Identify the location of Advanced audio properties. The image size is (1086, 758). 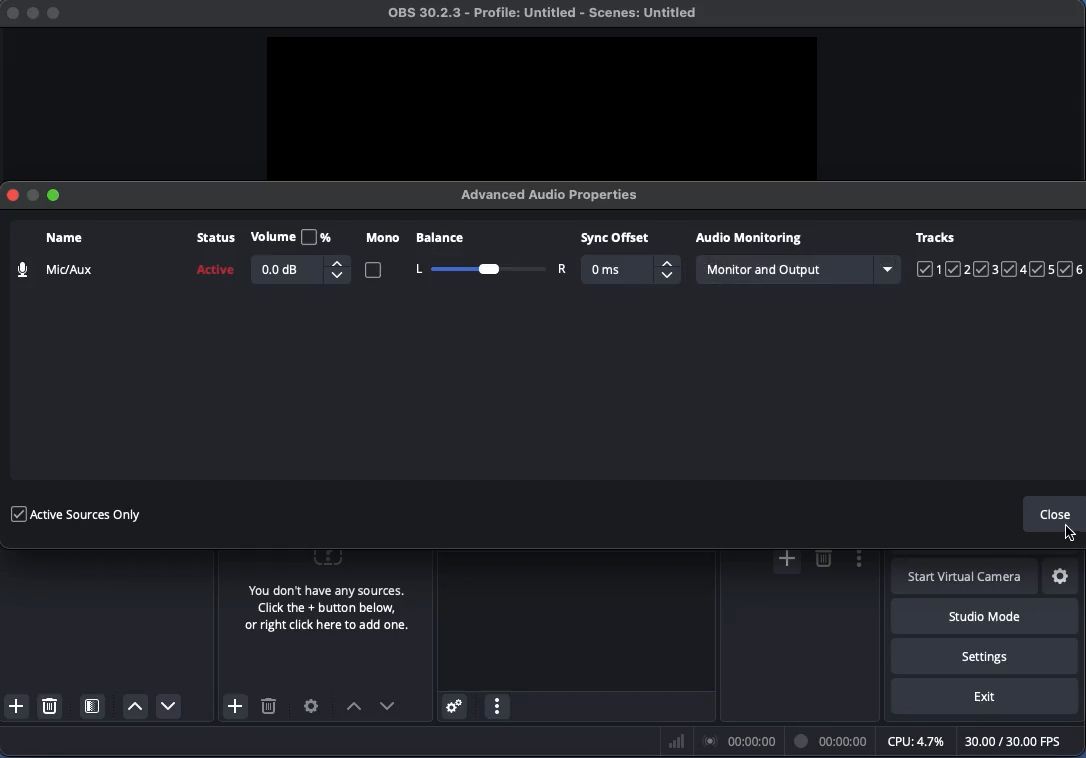
(453, 707).